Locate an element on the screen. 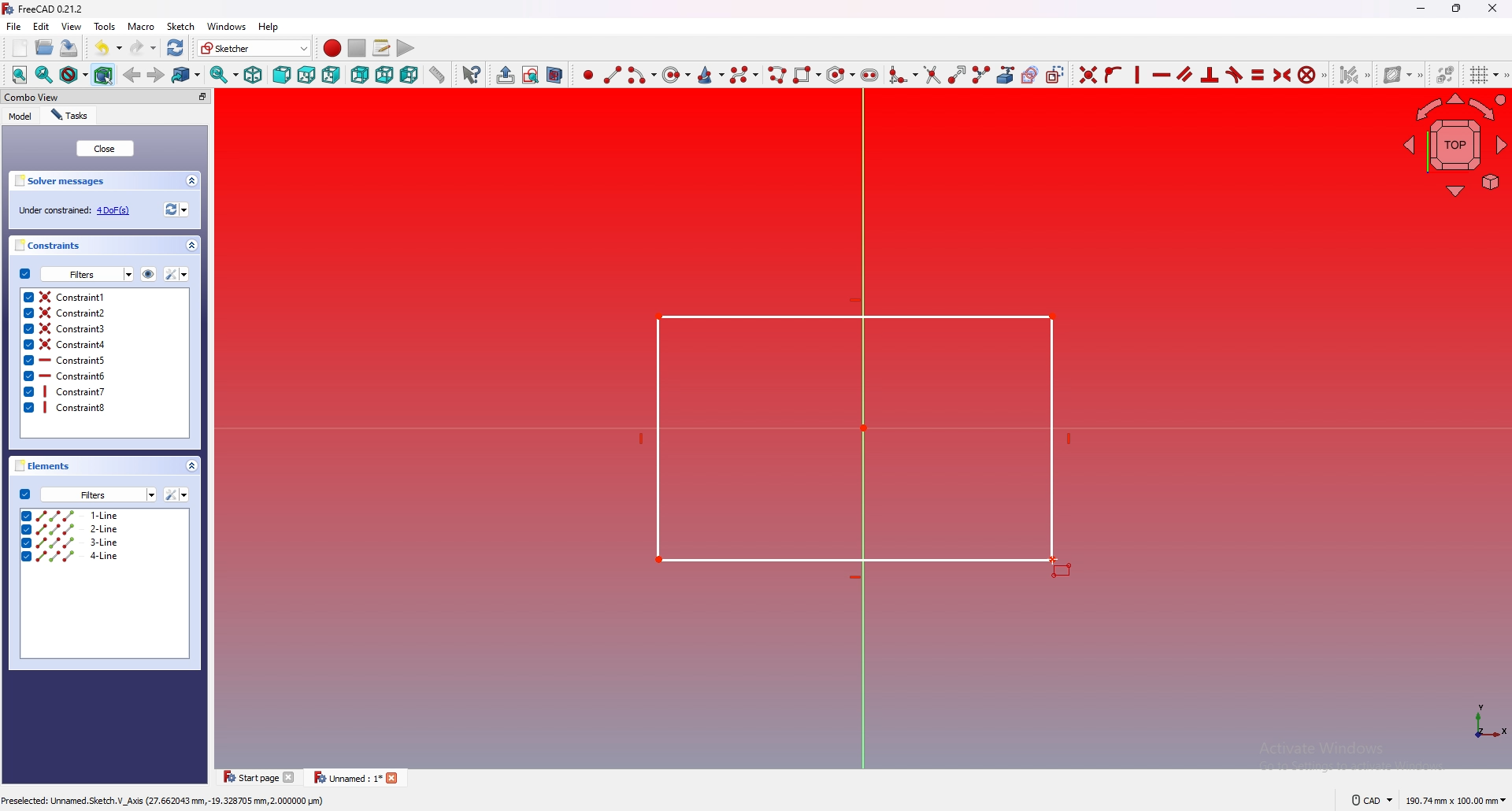  constraint coincident is located at coordinates (1088, 74).